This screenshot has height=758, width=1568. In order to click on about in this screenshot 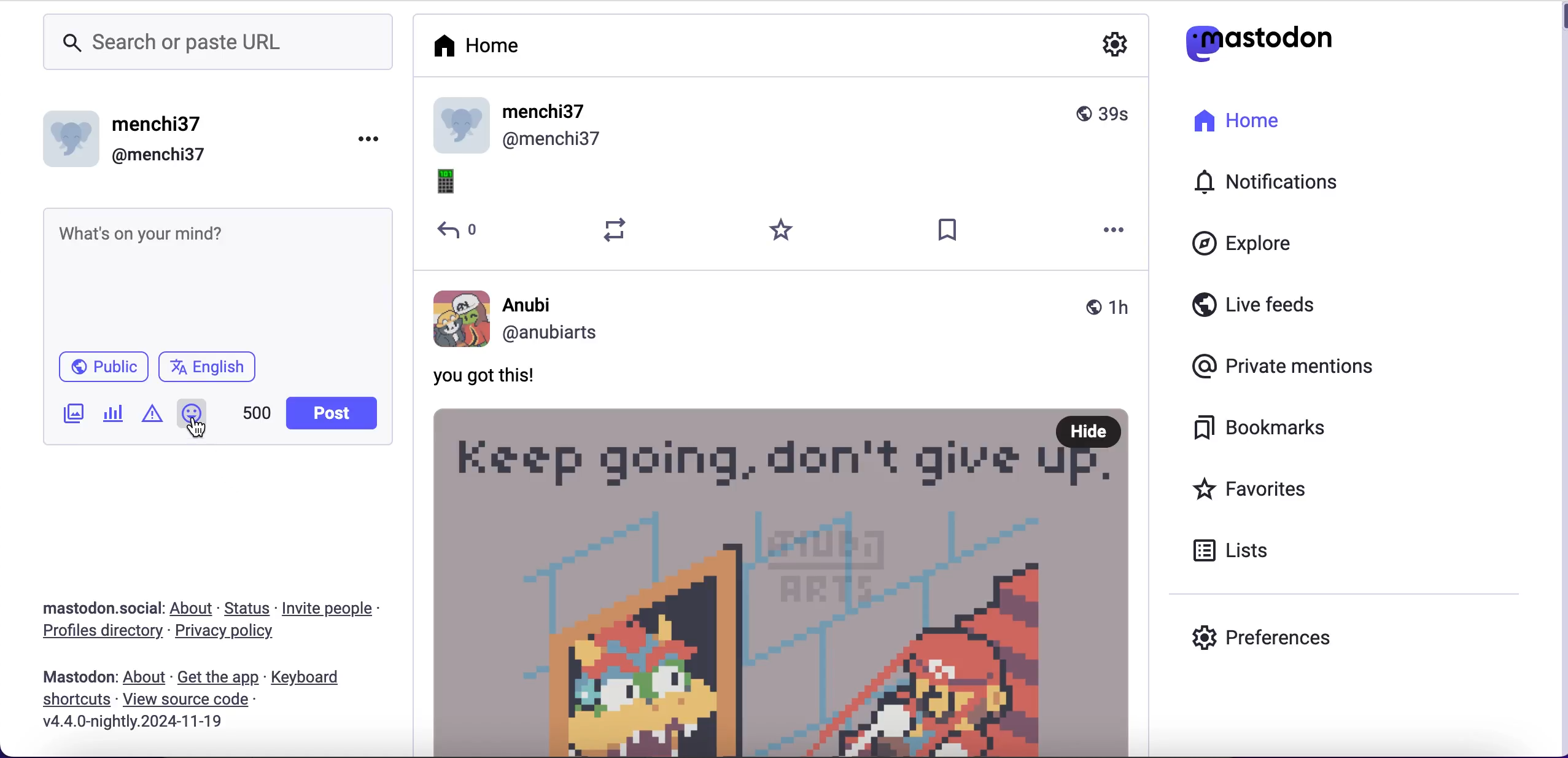, I will do `click(144, 677)`.